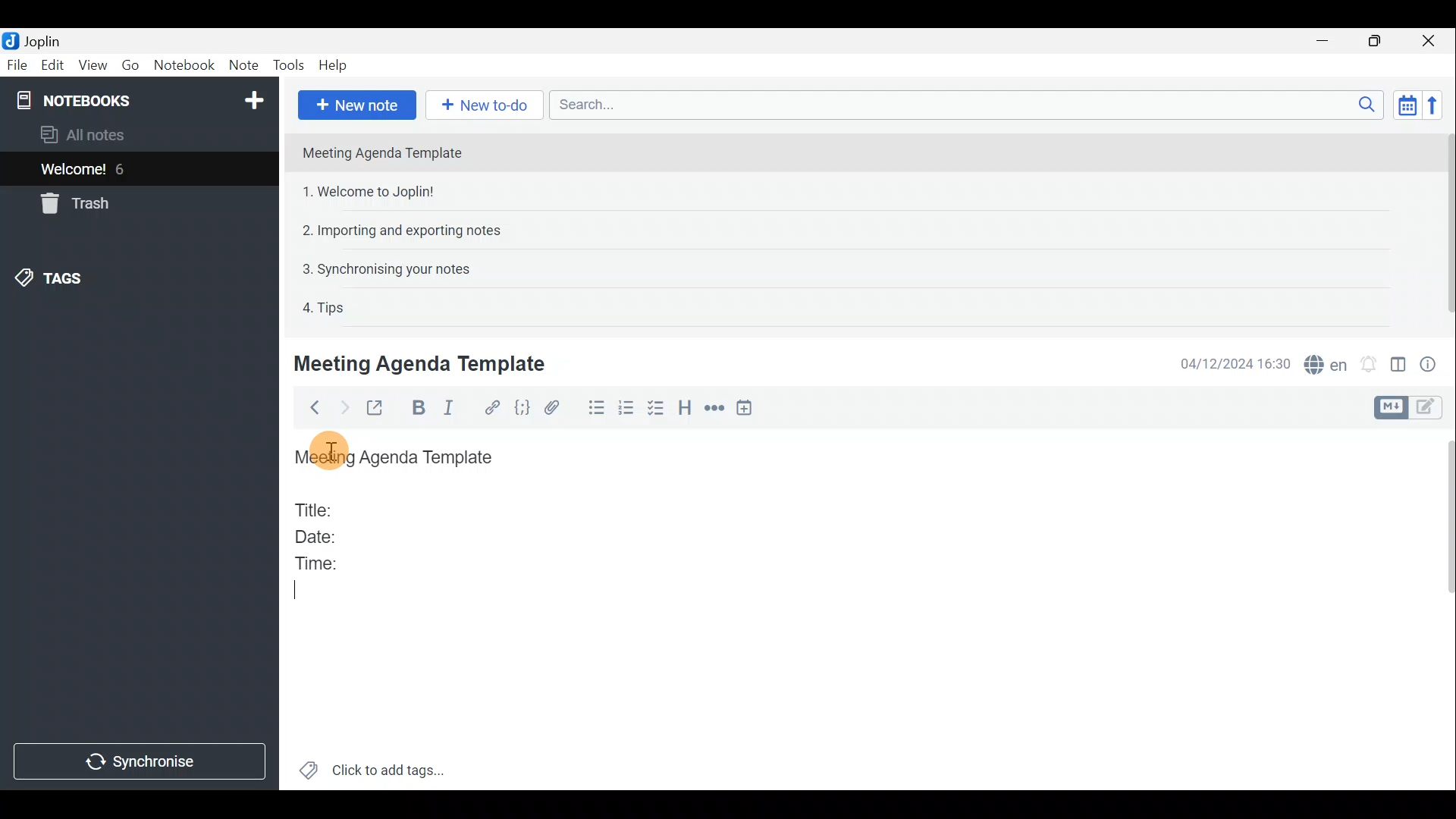  What do you see at coordinates (748, 410) in the screenshot?
I see `Insert time` at bounding box center [748, 410].